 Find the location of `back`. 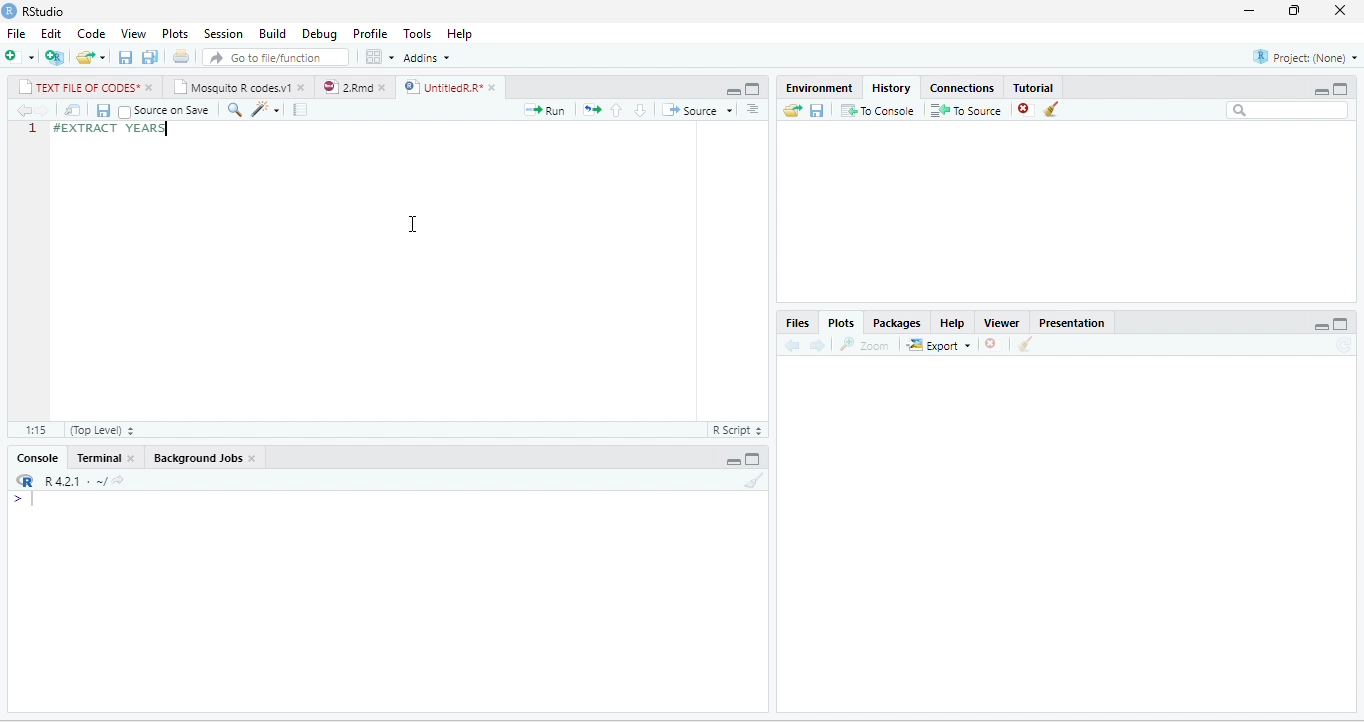

back is located at coordinates (792, 344).